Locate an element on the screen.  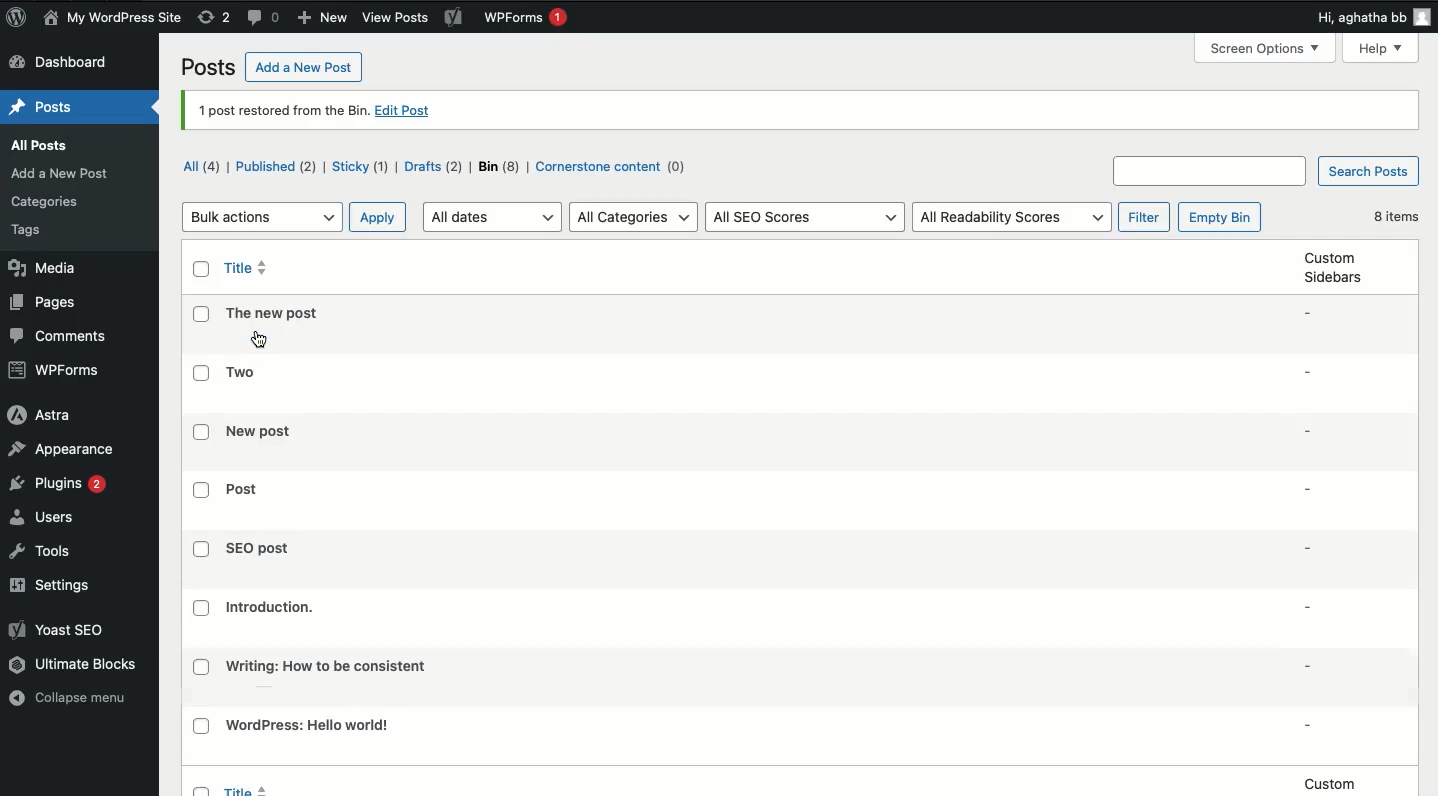
Revisions is located at coordinates (216, 18).